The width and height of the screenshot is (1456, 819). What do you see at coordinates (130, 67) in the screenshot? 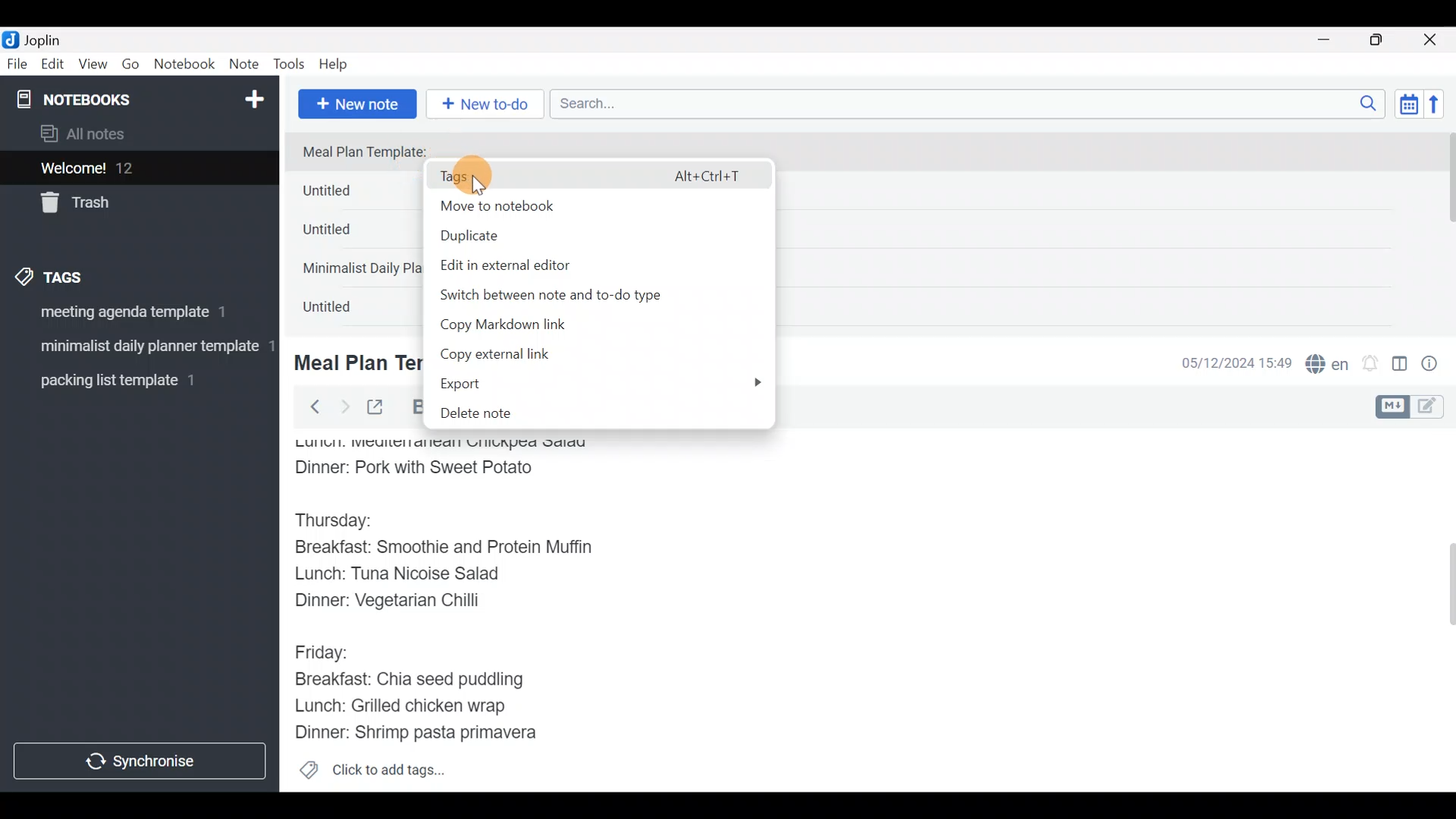
I see `Go` at bounding box center [130, 67].